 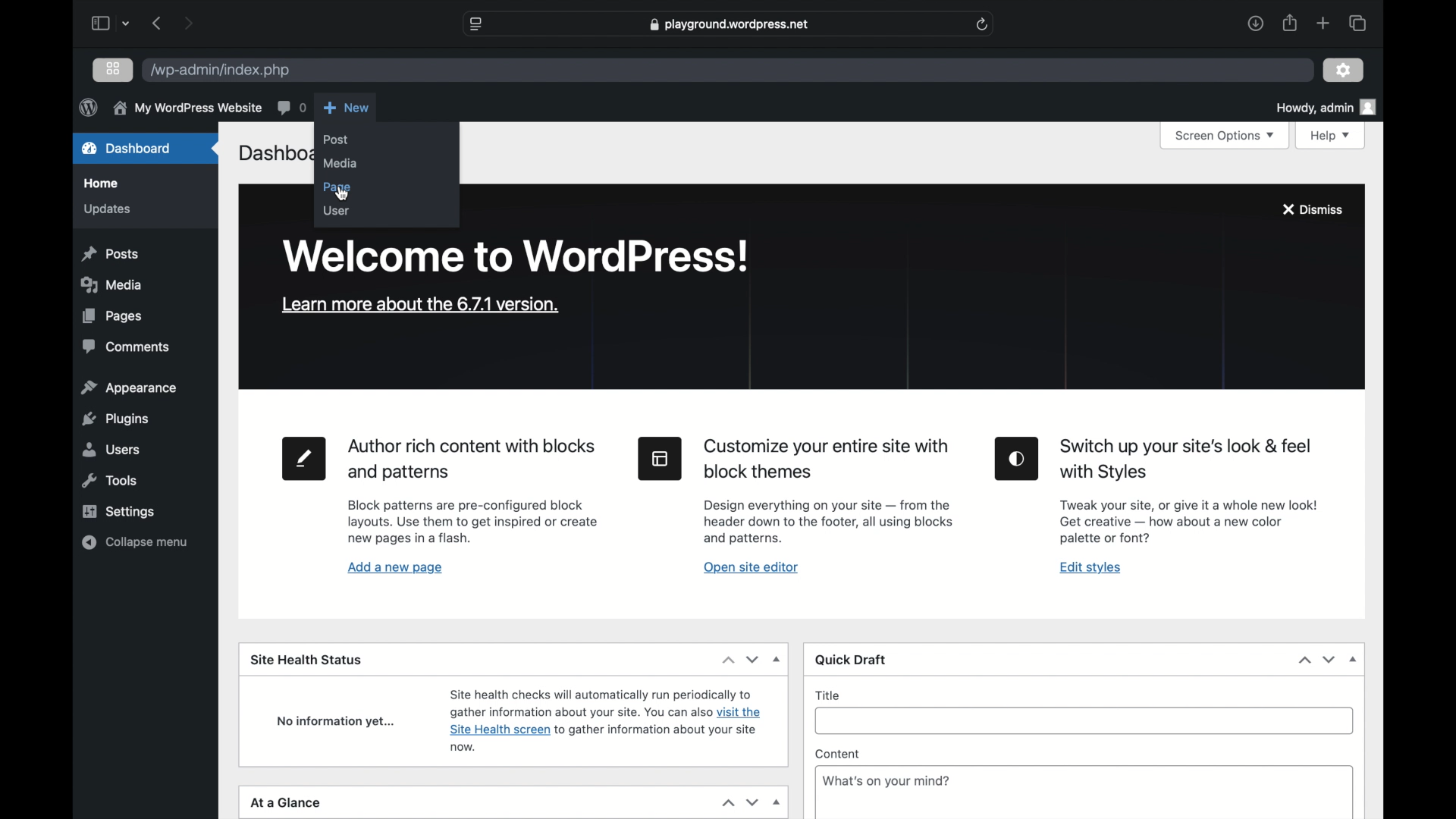 What do you see at coordinates (187, 107) in the screenshot?
I see `info` at bounding box center [187, 107].